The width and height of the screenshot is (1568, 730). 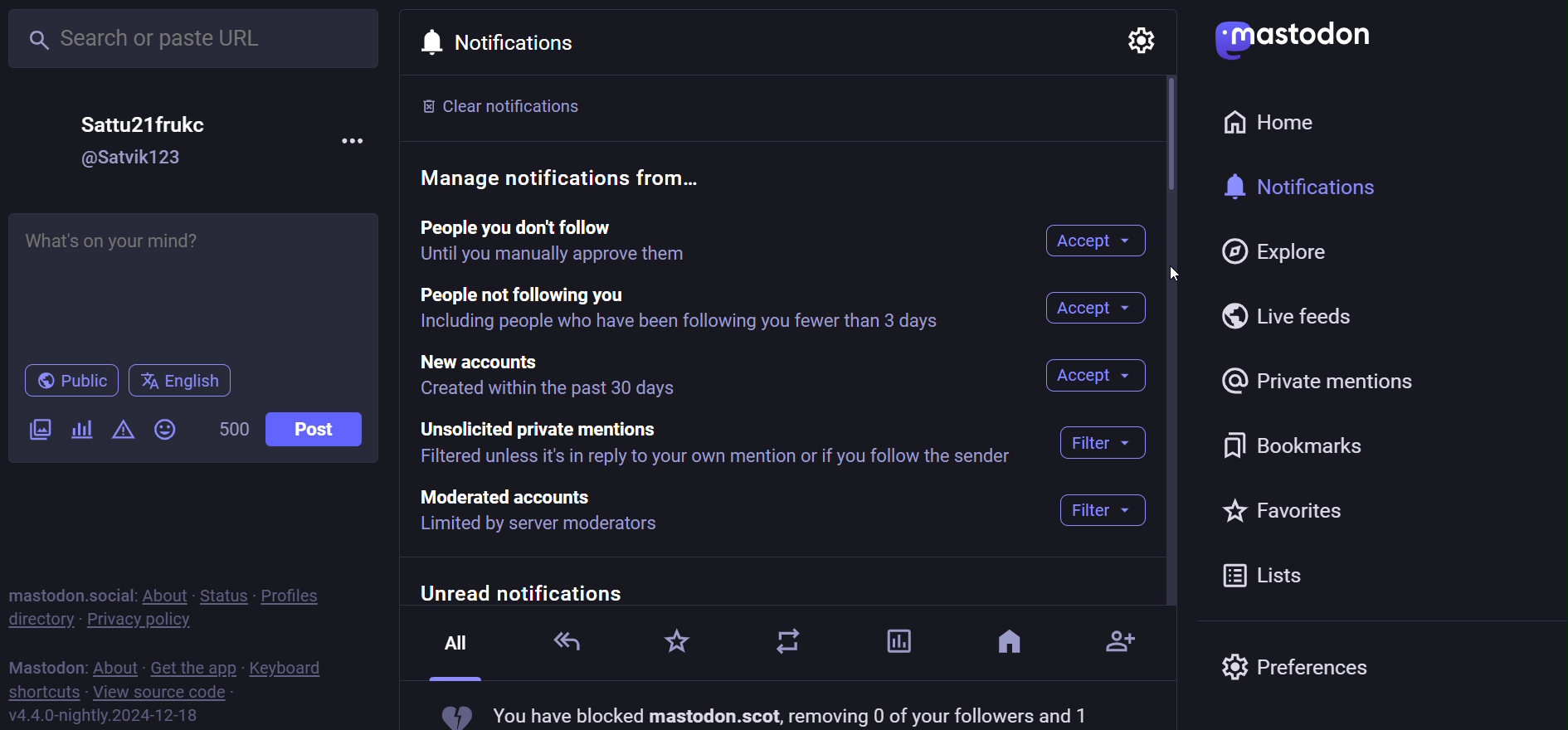 What do you see at coordinates (1319, 380) in the screenshot?
I see `private mentions` at bounding box center [1319, 380].